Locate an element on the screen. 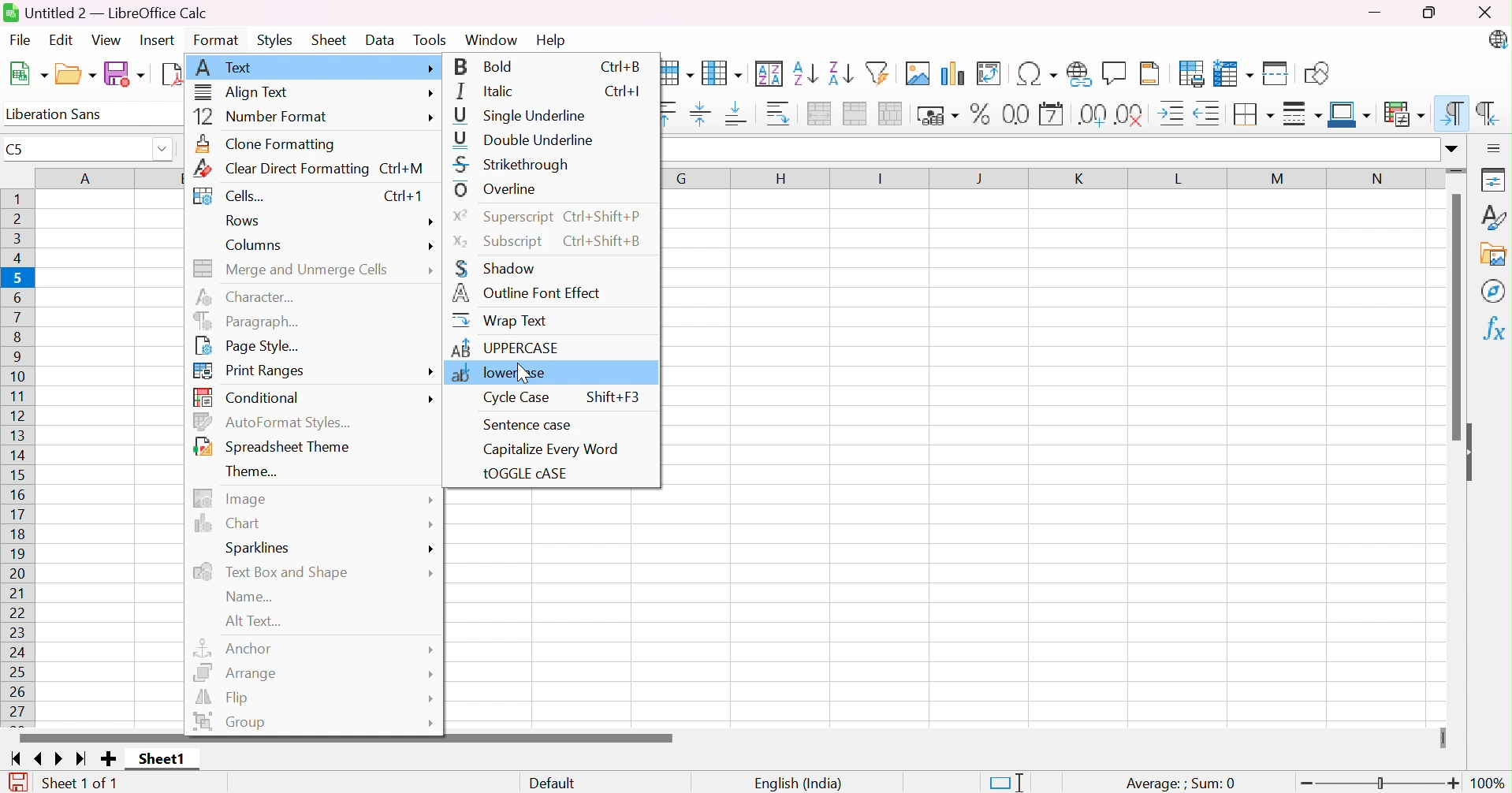 This screenshot has height=793, width=1512. C5 is located at coordinates (17, 150).